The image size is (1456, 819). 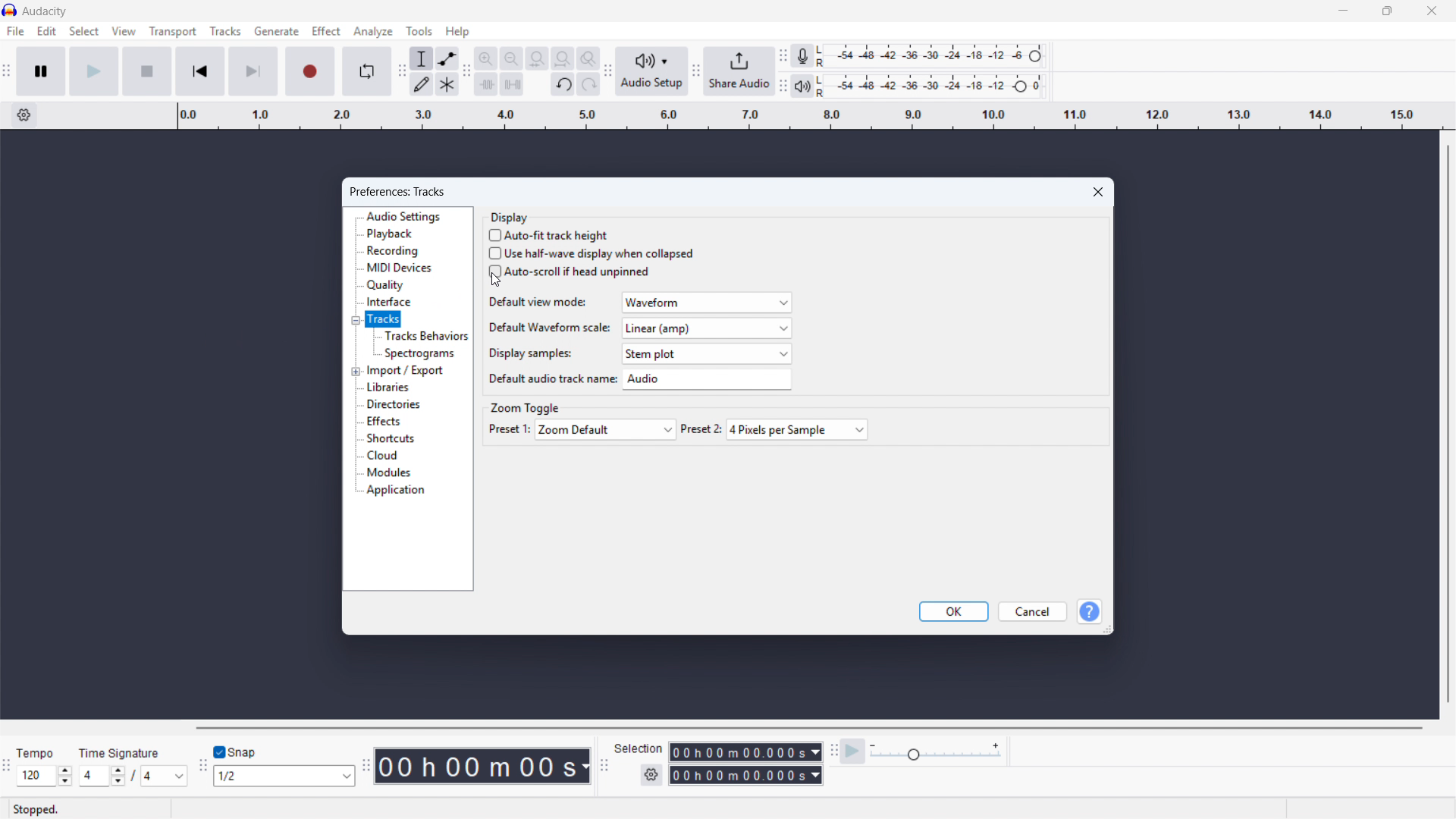 What do you see at coordinates (173, 31) in the screenshot?
I see `transport` at bounding box center [173, 31].